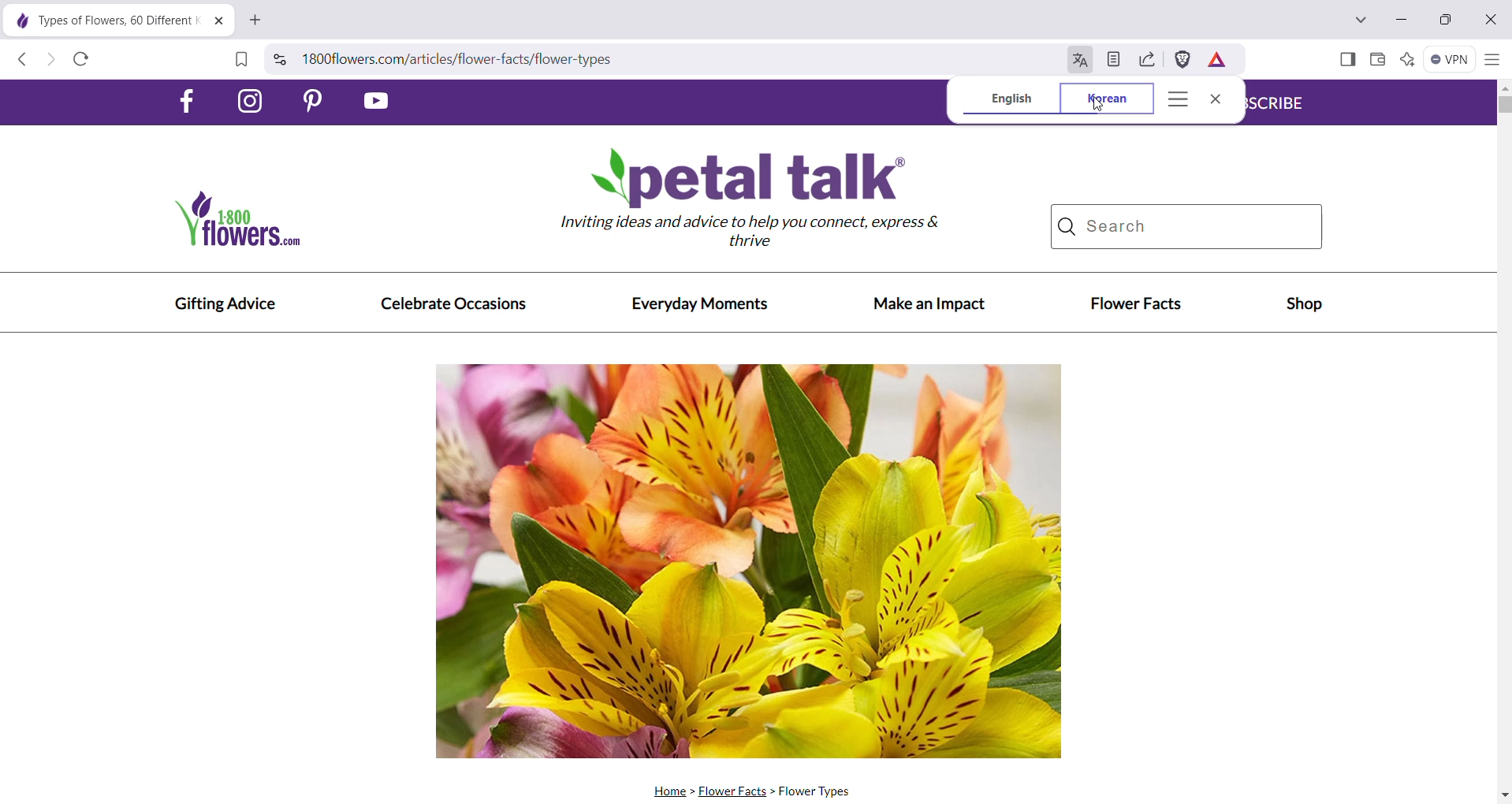 The image size is (1512, 804). Describe the element at coordinates (656, 60) in the screenshot. I see `Search Brave or type a URL` at that location.